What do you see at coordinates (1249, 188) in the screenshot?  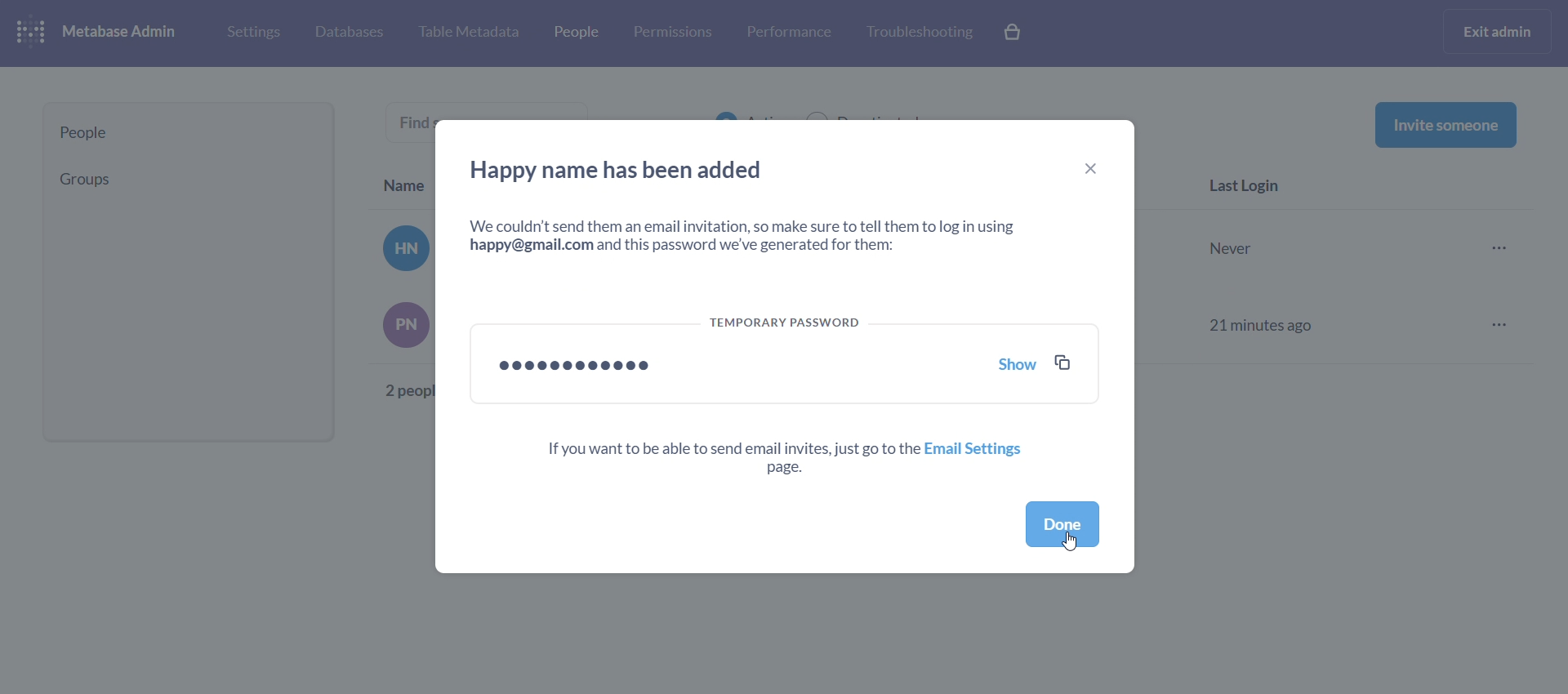 I see `last login` at bounding box center [1249, 188].